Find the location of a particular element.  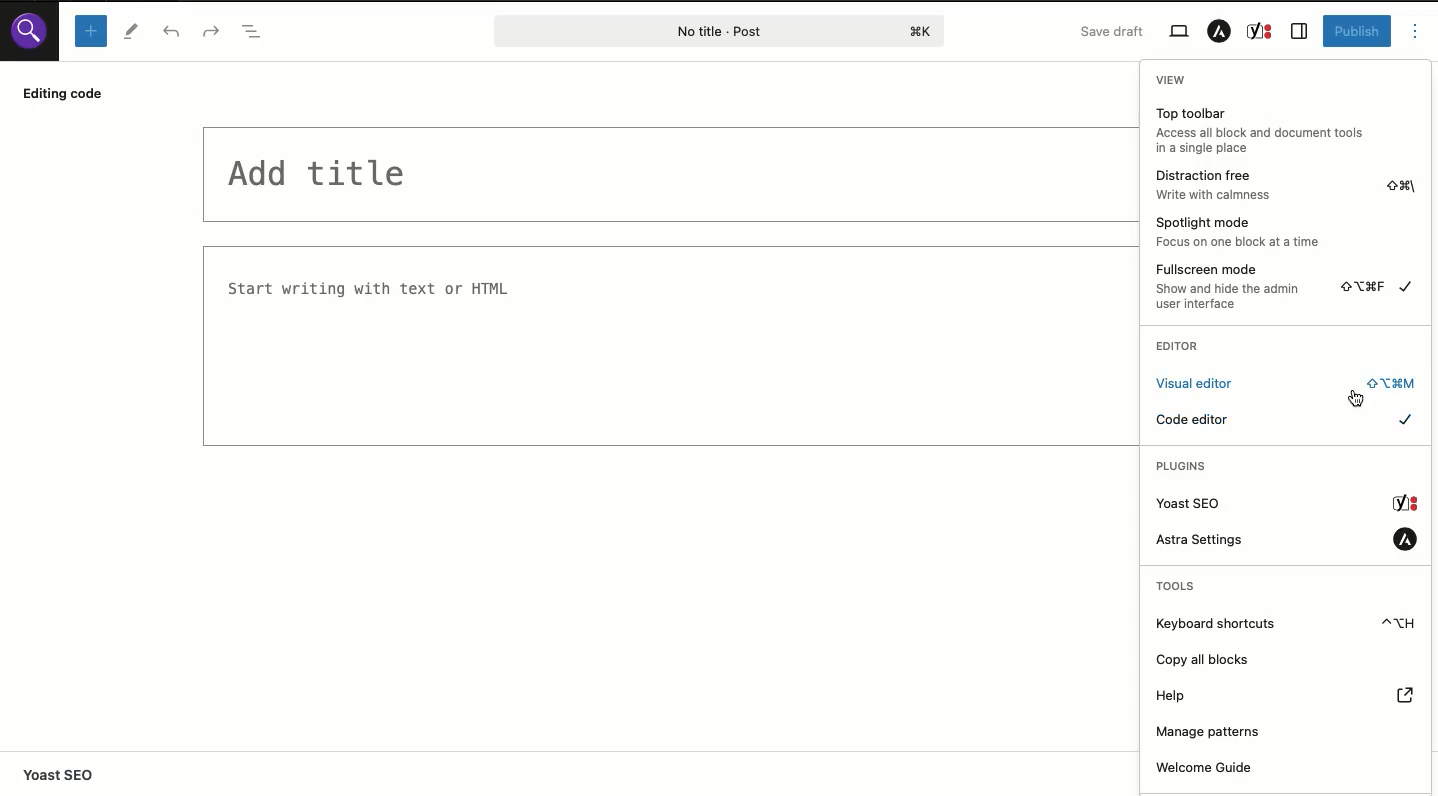

Fullscreen mode is located at coordinates (1284, 285).